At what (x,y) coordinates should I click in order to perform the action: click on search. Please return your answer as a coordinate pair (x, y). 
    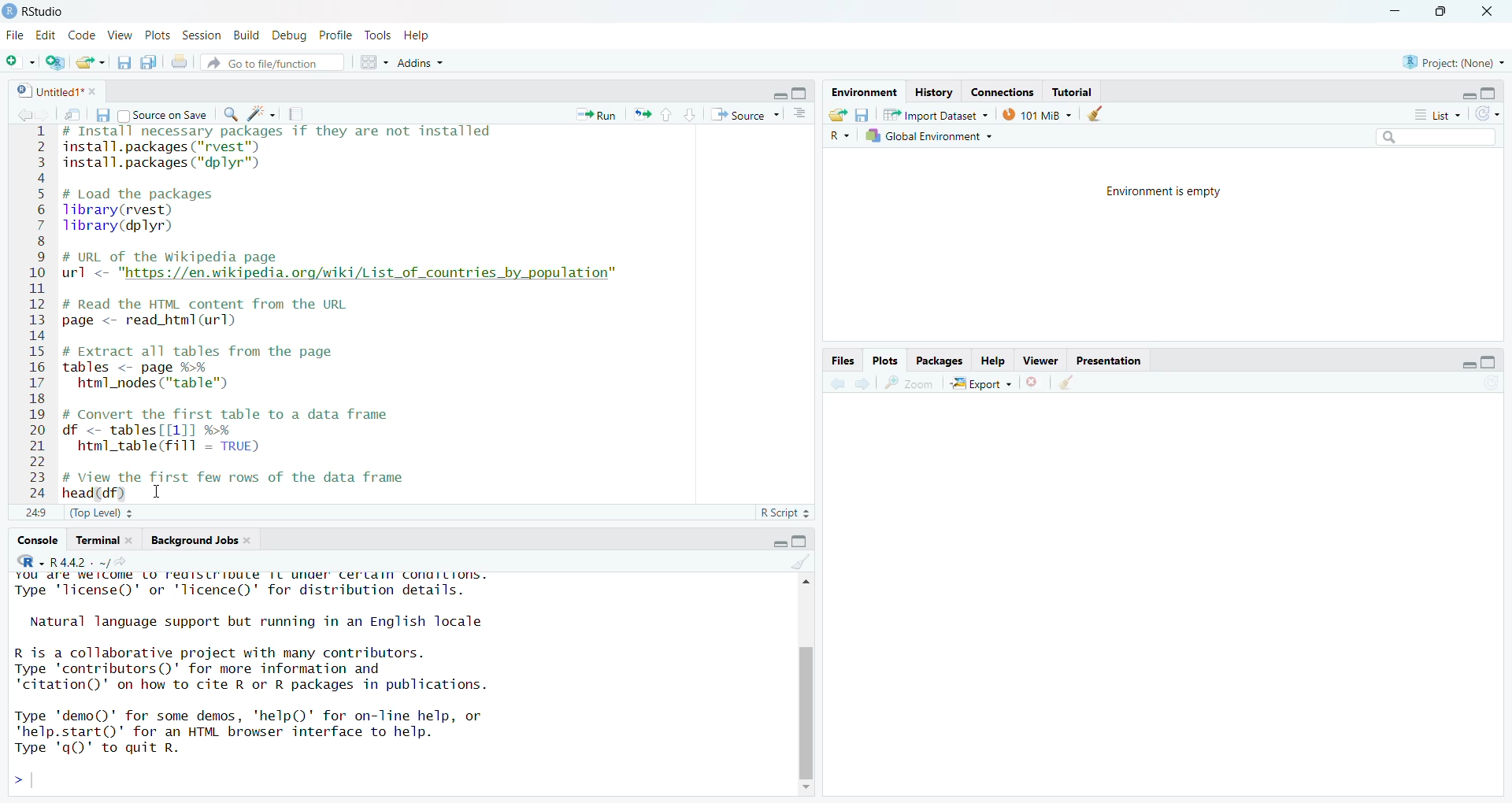
    Looking at the image, I should click on (232, 114).